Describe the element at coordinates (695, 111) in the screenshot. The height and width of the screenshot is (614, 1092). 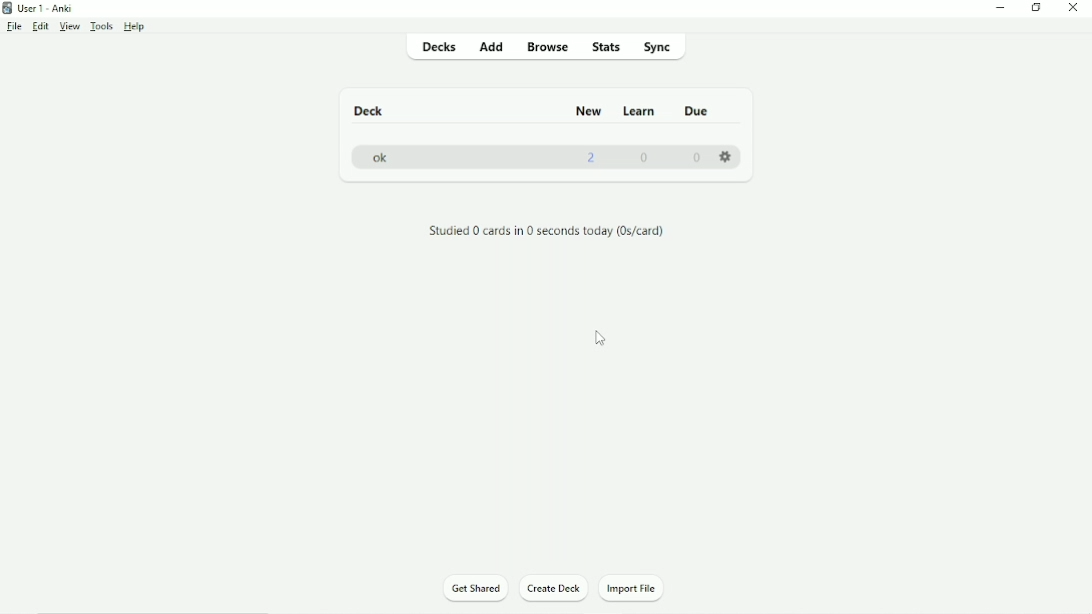
I see `Due` at that location.